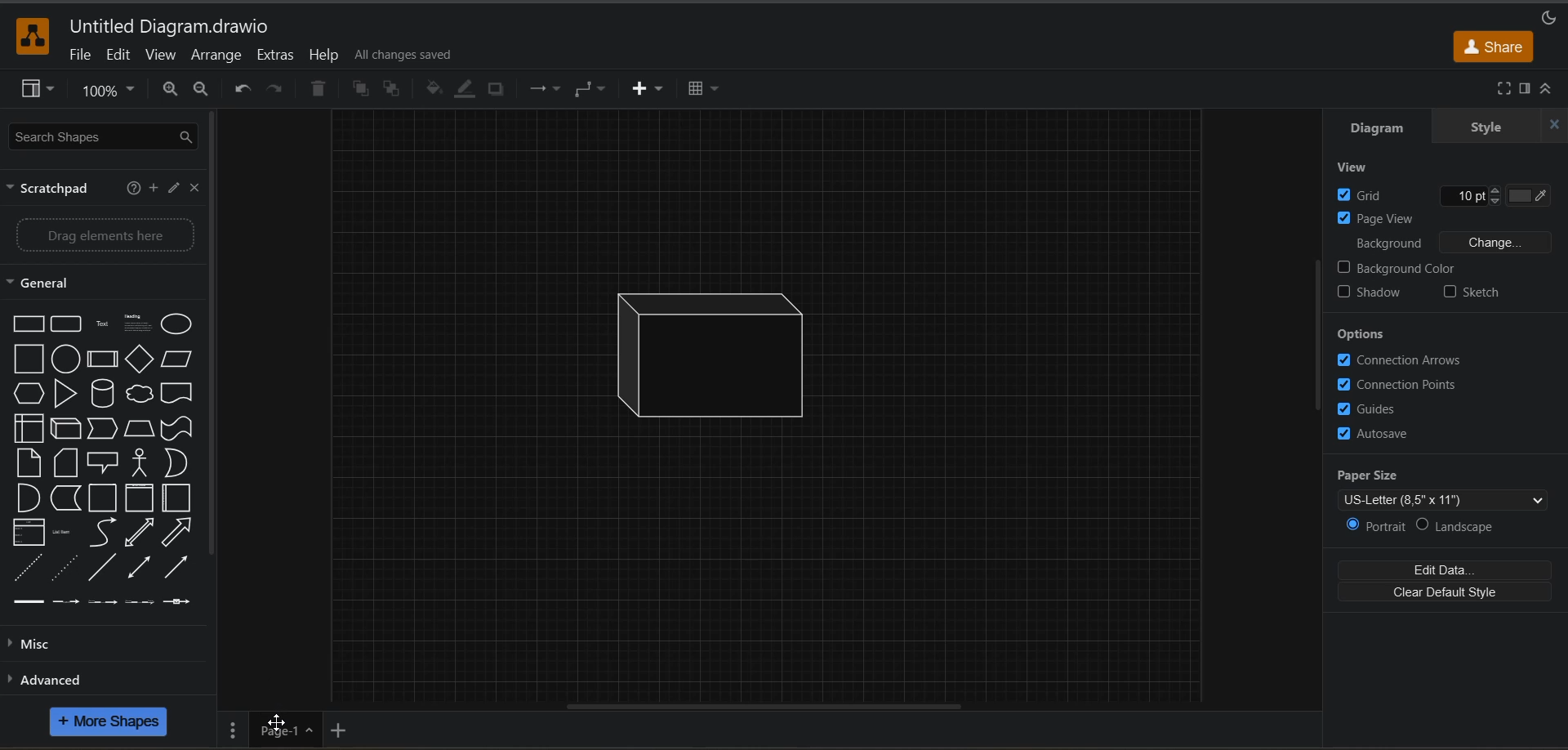 The height and width of the screenshot is (750, 1568). What do you see at coordinates (1404, 360) in the screenshot?
I see `connection arrows` at bounding box center [1404, 360].